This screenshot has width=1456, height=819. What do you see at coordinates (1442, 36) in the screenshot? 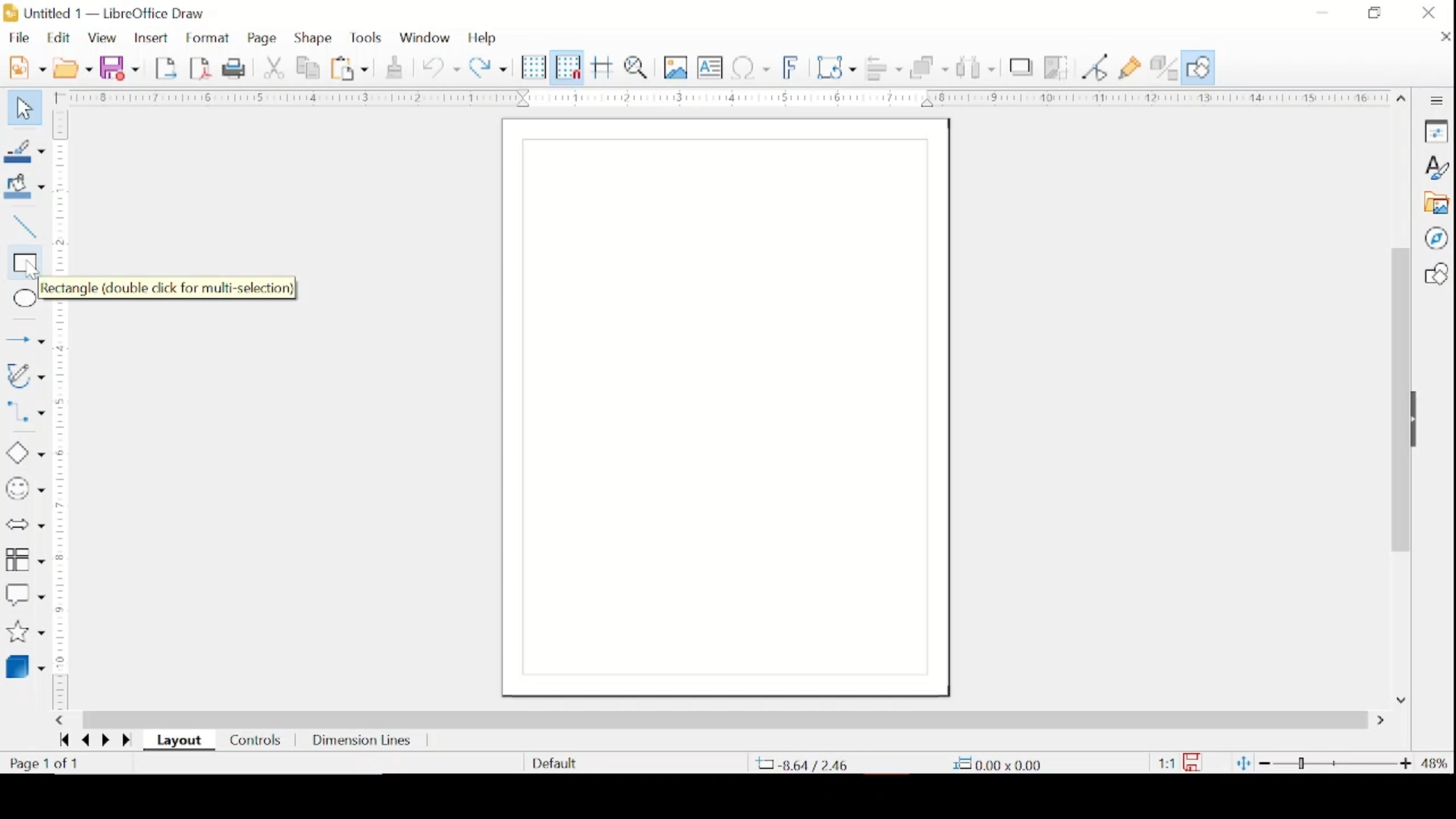
I see `close` at bounding box center [1442, 36].